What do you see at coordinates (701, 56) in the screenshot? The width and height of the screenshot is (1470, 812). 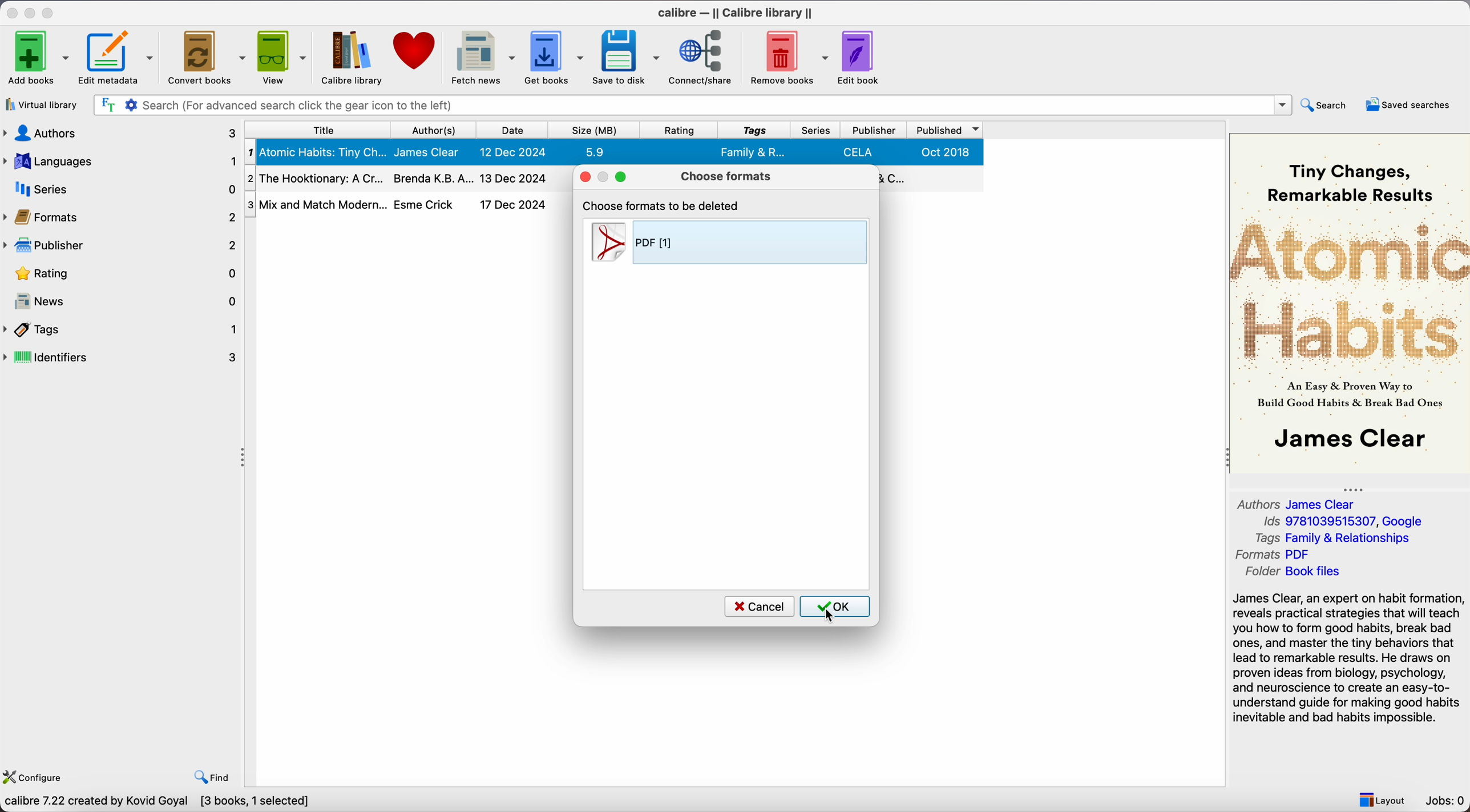 I see `connect/share` at bounding box center [701, 56].